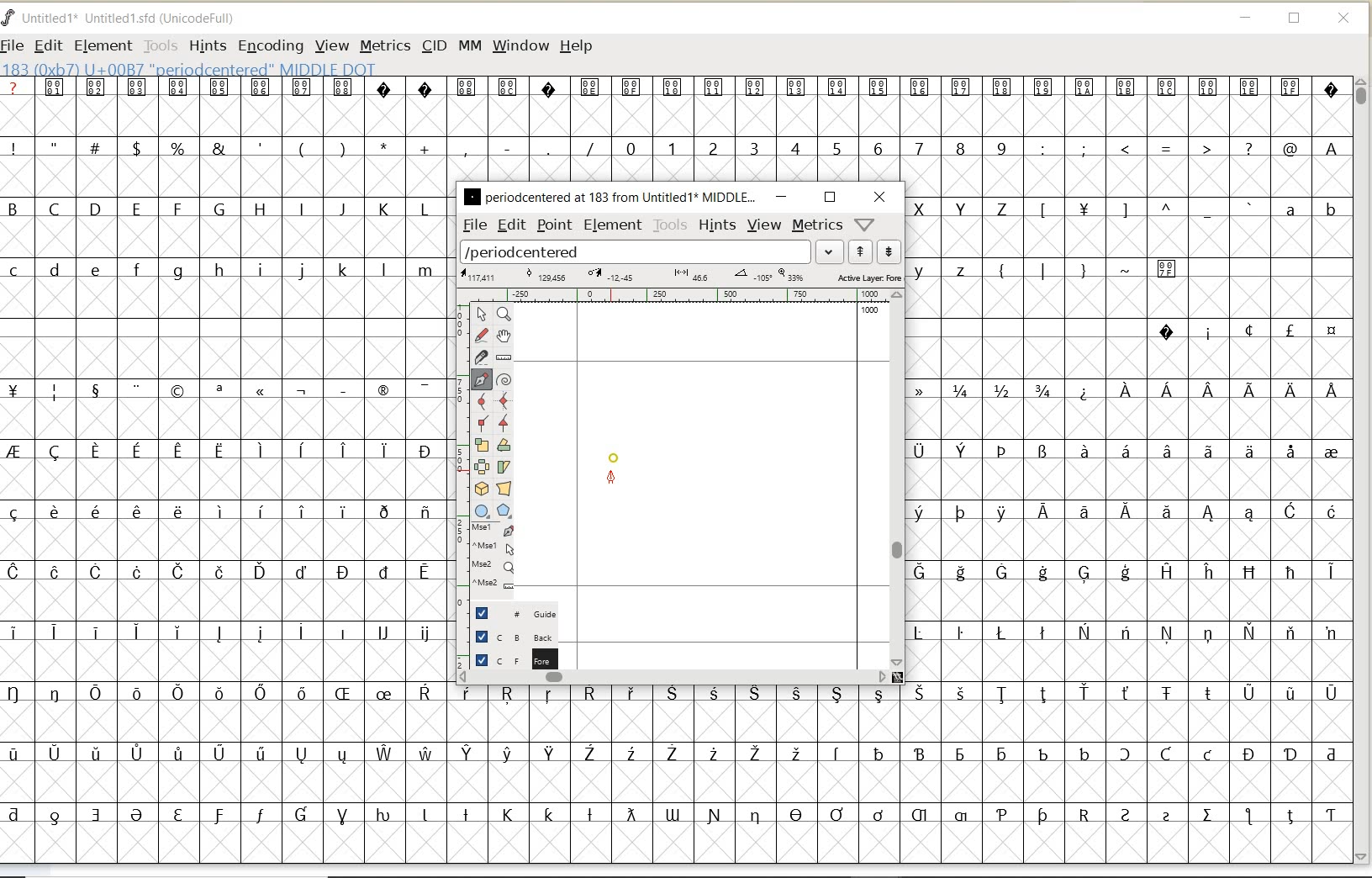 The width and height of the screenshot is (1372, 878). Describe the element at coordinates (609, 196) in the screenshot. I see `glyph name` at that location.